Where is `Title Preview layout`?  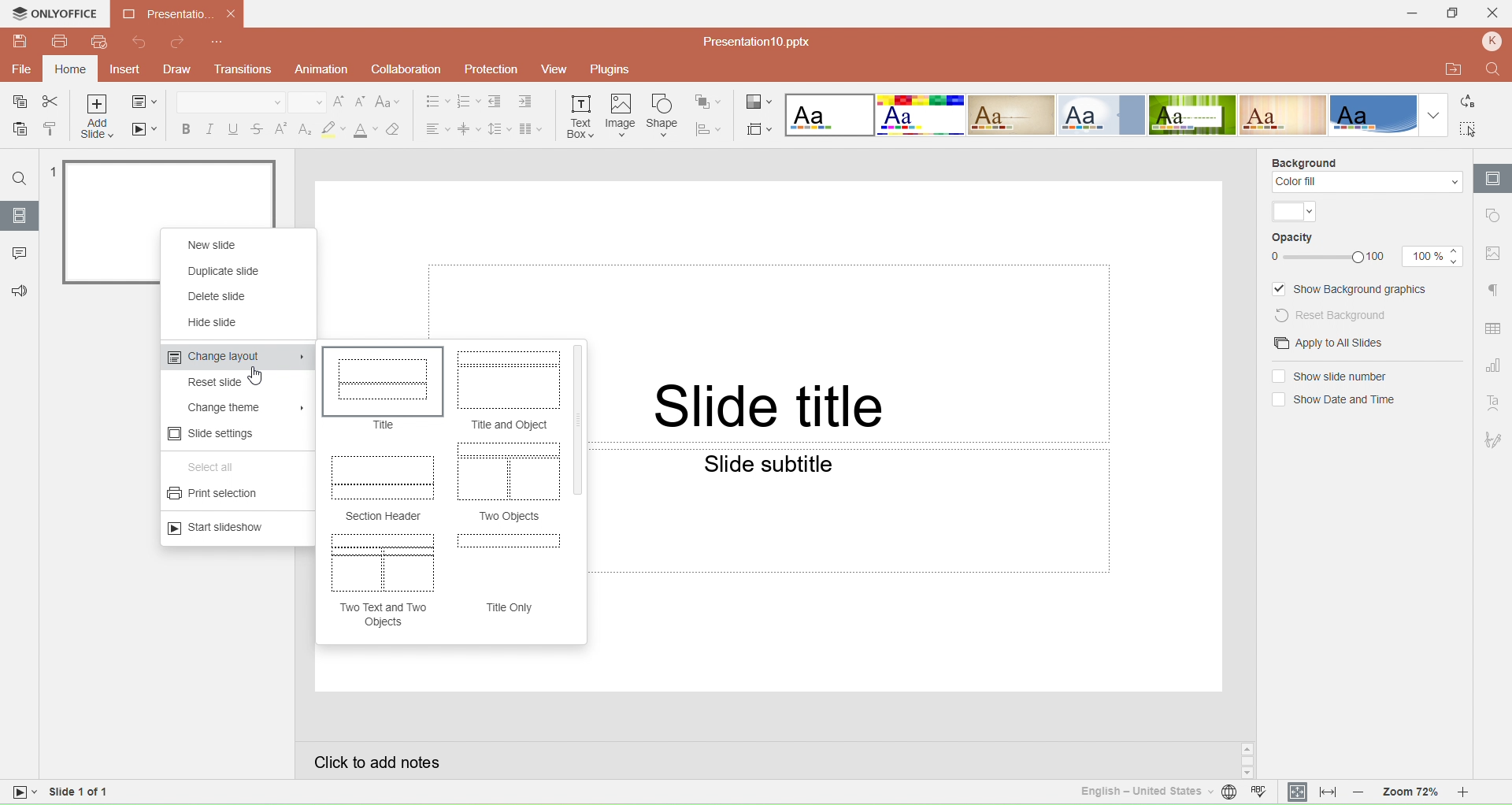 Title Preview layout is located at coordinates (381, 382).